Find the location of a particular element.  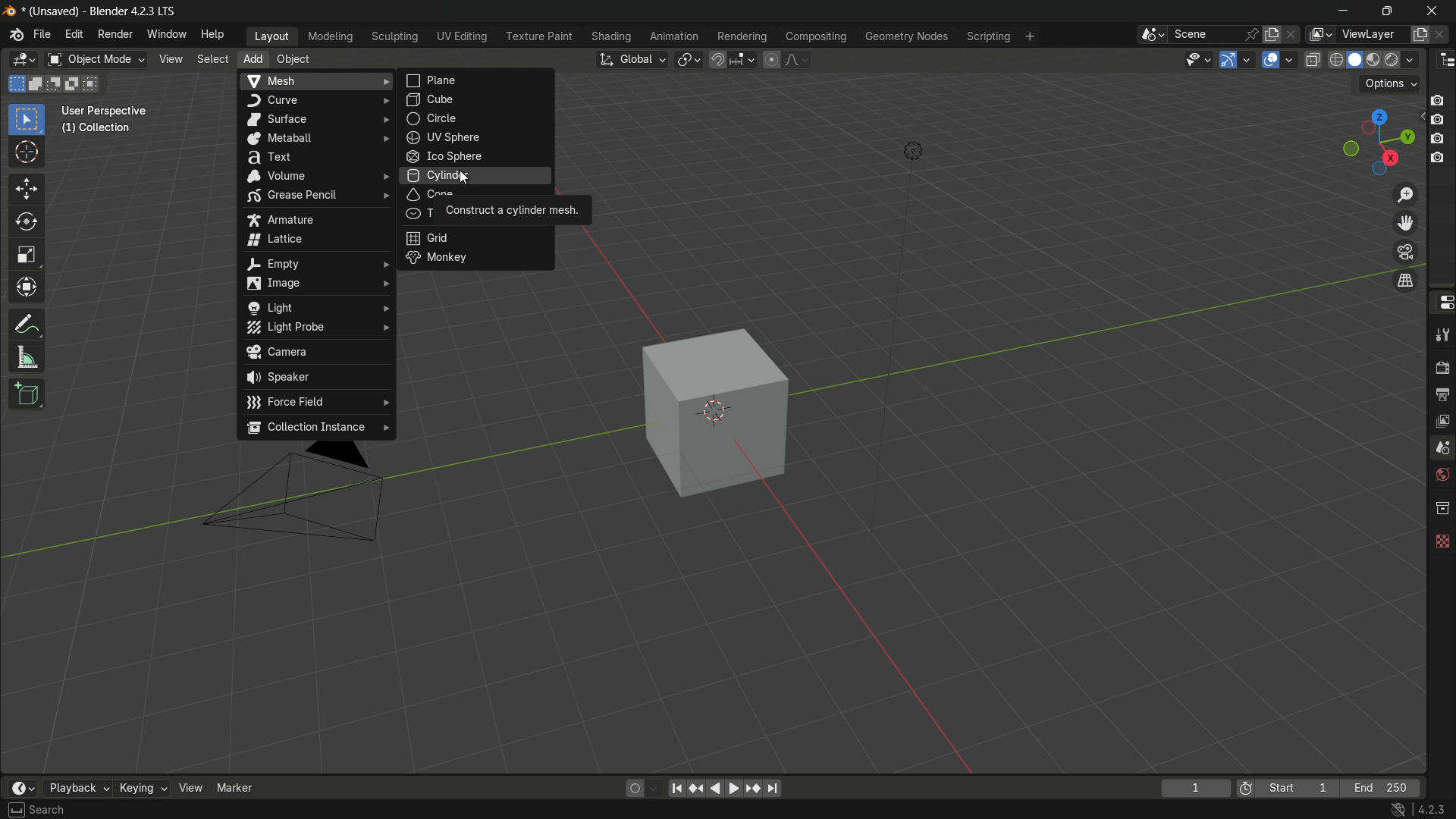

snap is located at coordinates (731, 60).